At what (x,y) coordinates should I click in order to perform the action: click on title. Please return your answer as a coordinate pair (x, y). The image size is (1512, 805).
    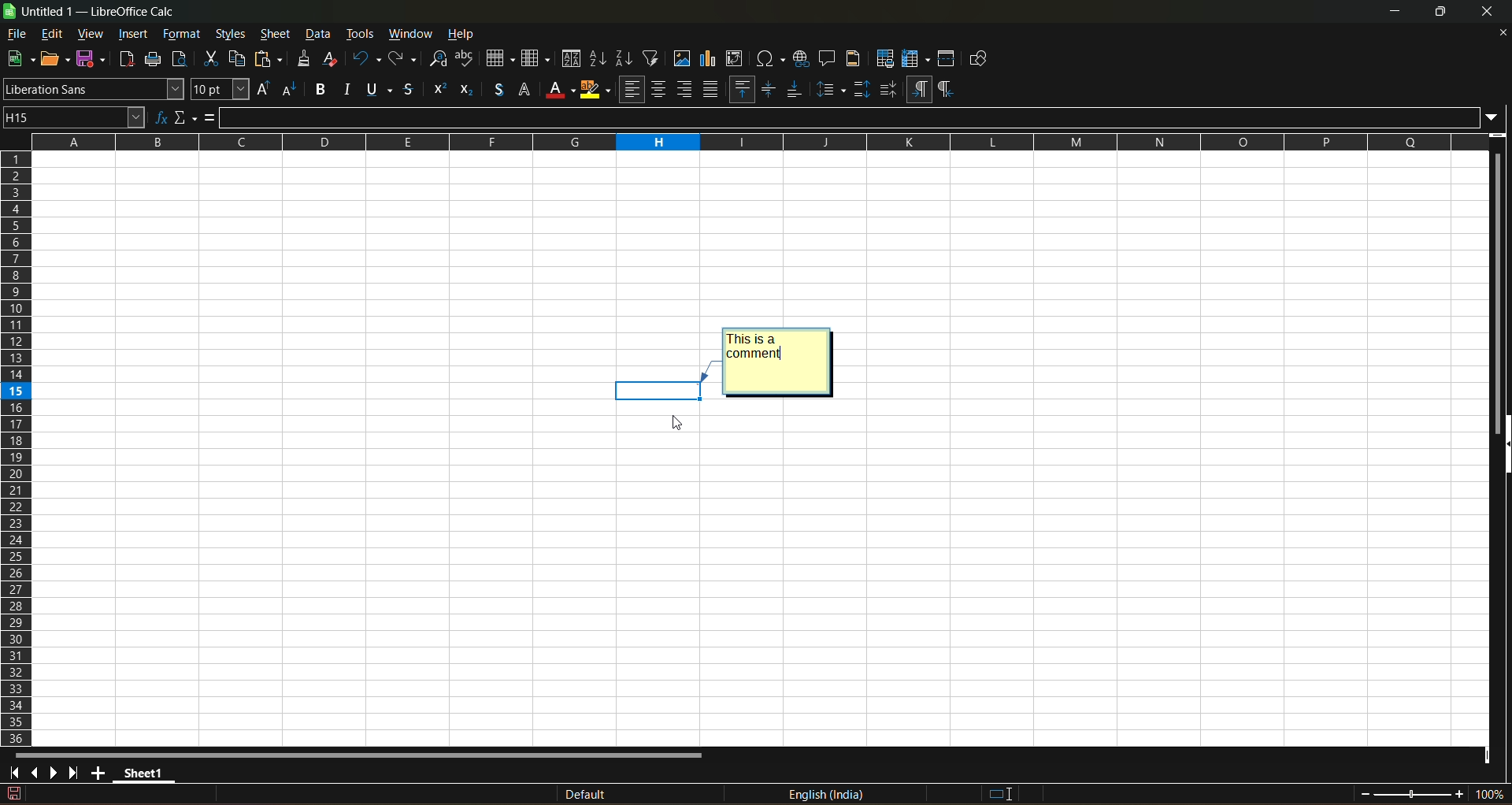
    Looking at the image, I should click on (98, 12).